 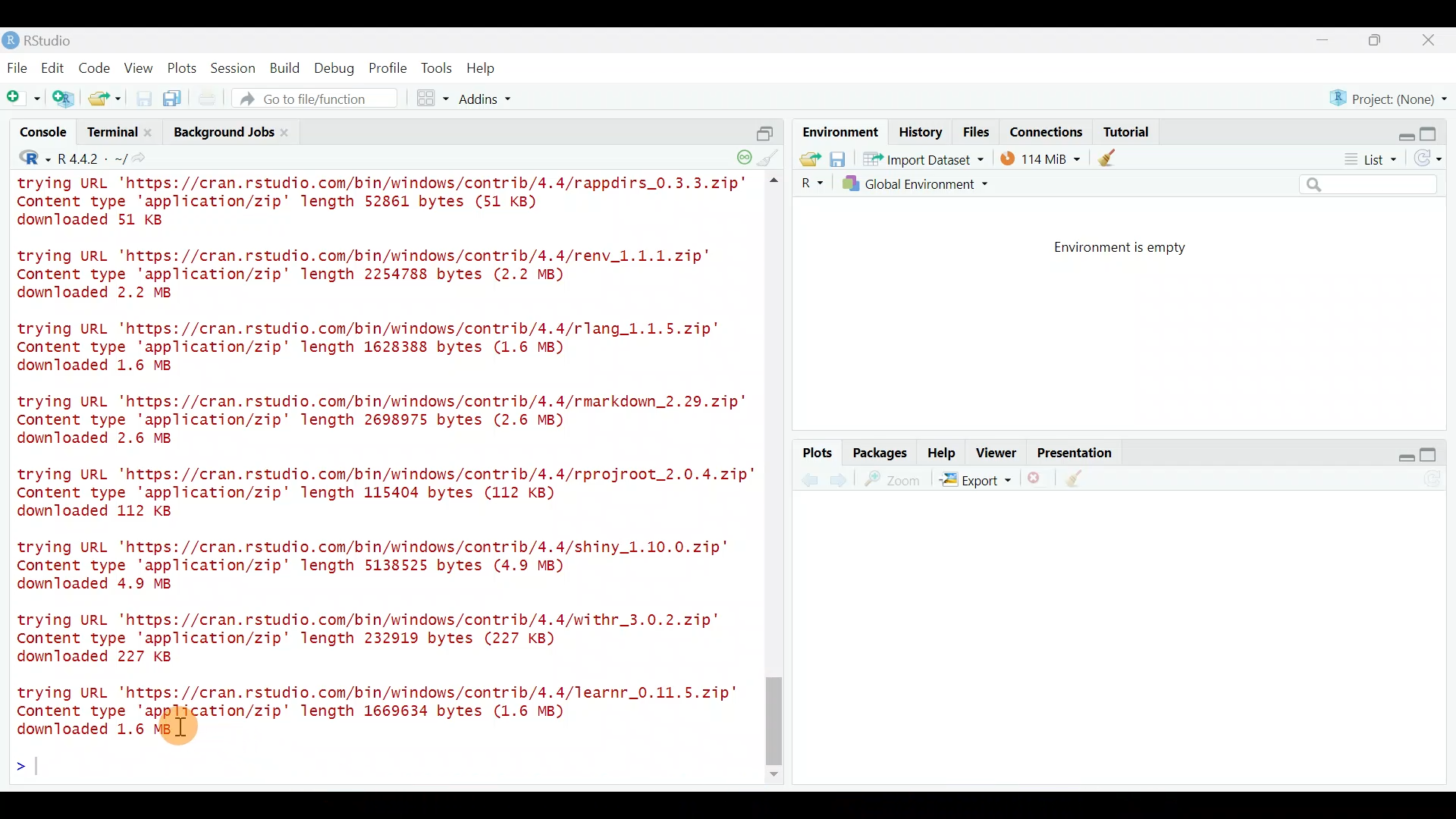 I want to click on History, so click(x=921, y=131).